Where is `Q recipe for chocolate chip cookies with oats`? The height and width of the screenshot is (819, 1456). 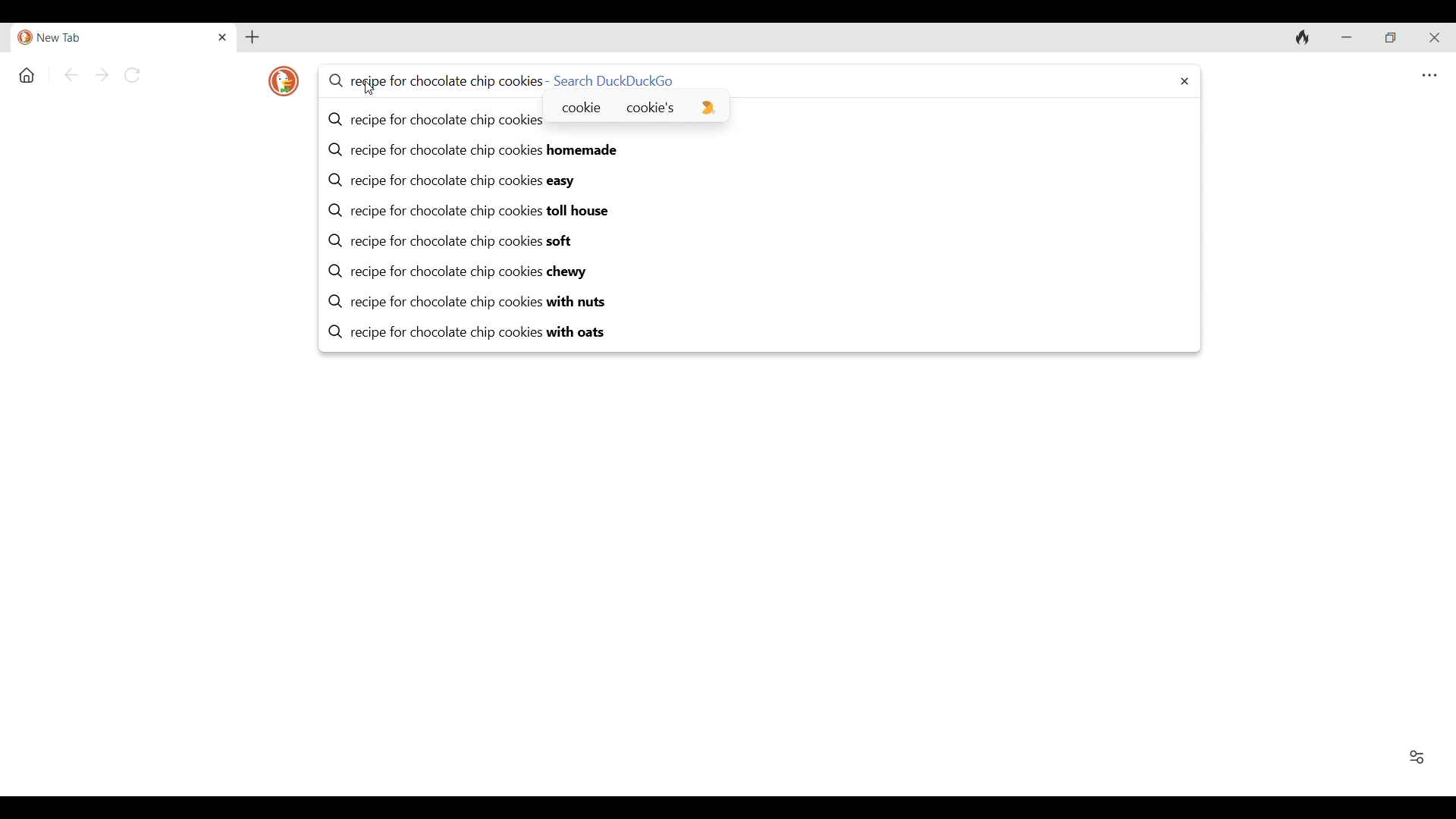 Q recipe for chocolate chip cookies with oats is located at coordinates (761, 333).